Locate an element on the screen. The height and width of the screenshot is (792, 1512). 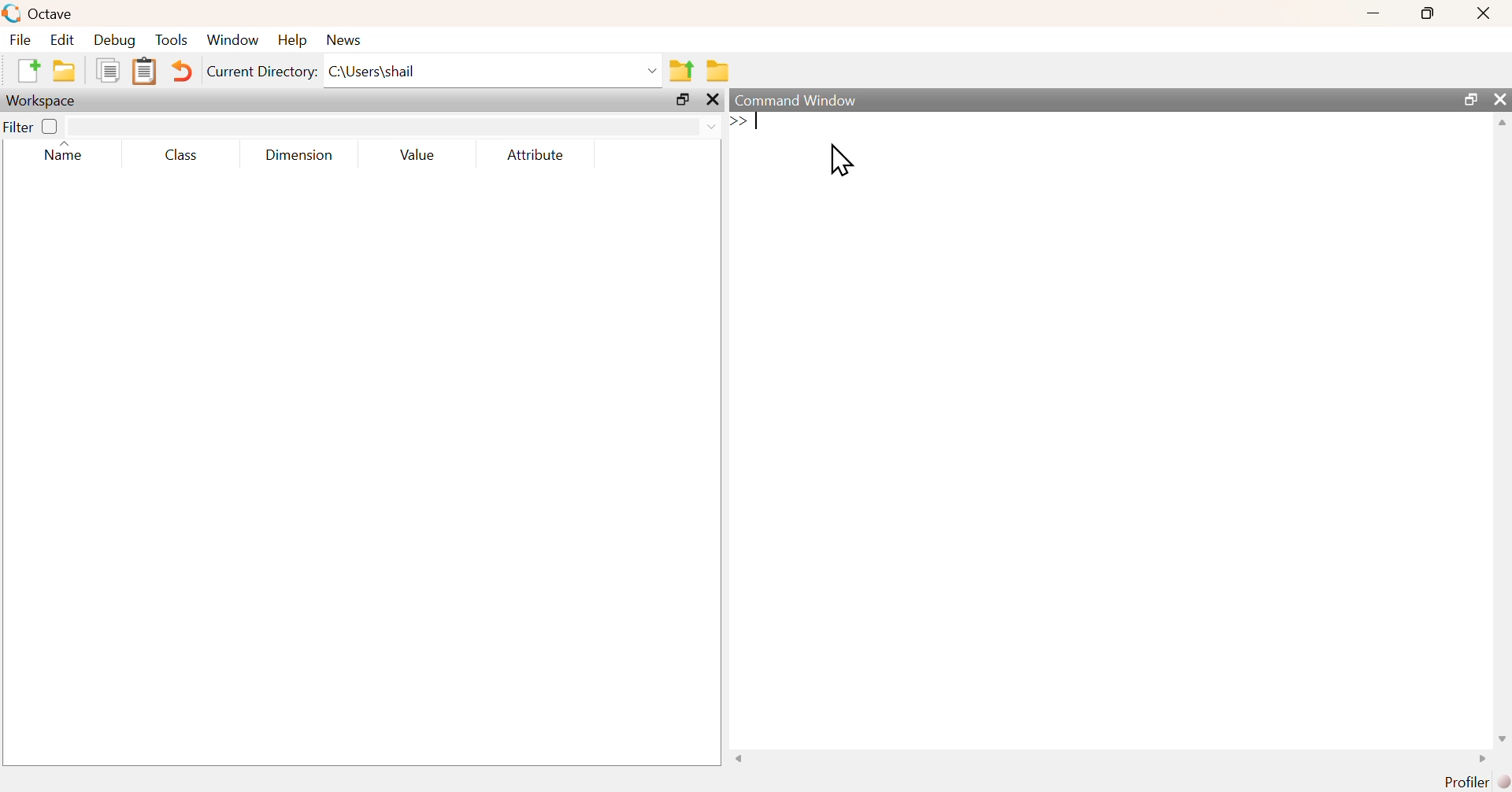
Window is located at coordinates (235, 41).